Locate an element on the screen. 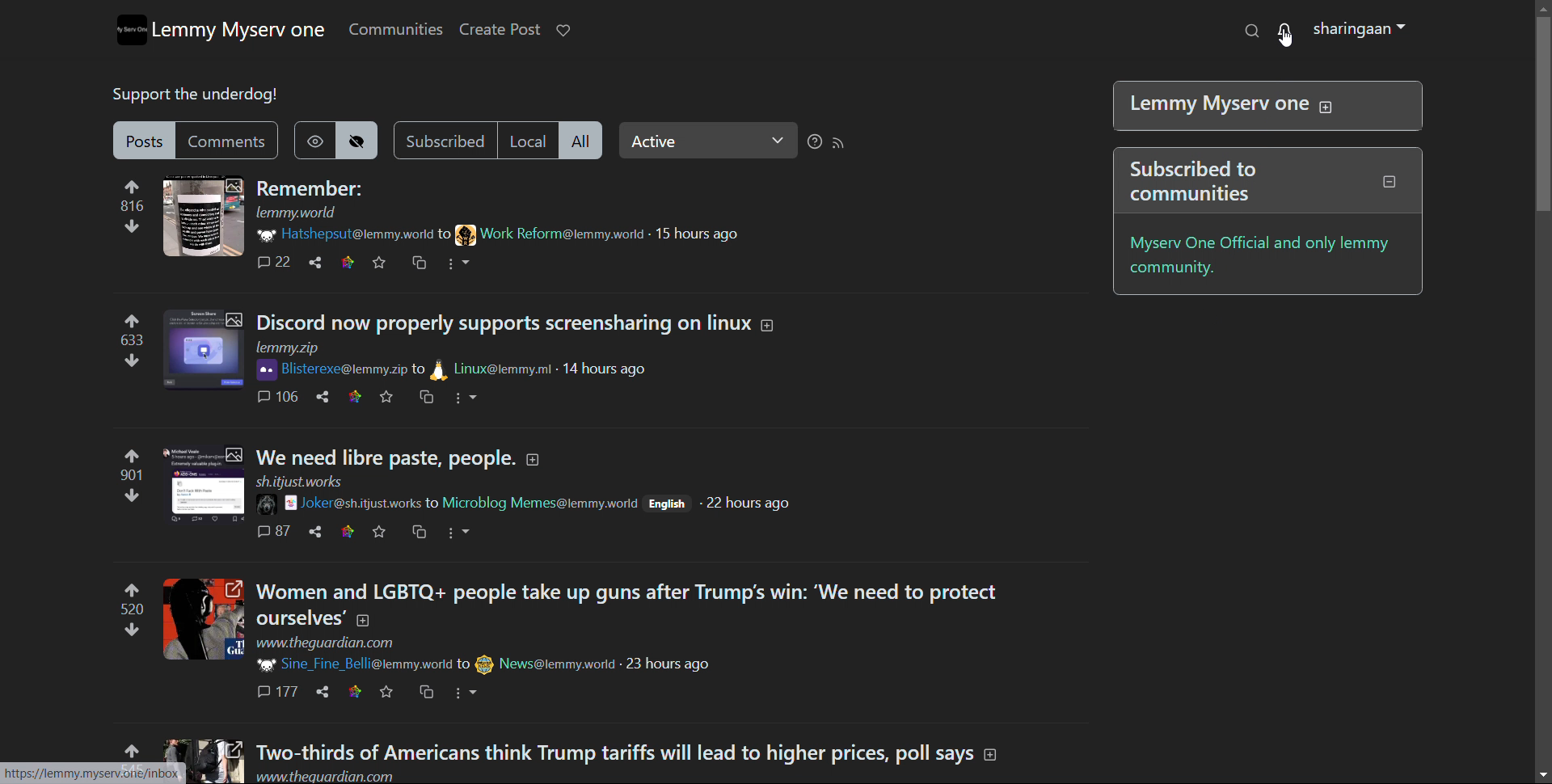  crosspost is located at coordinates (424, 398).